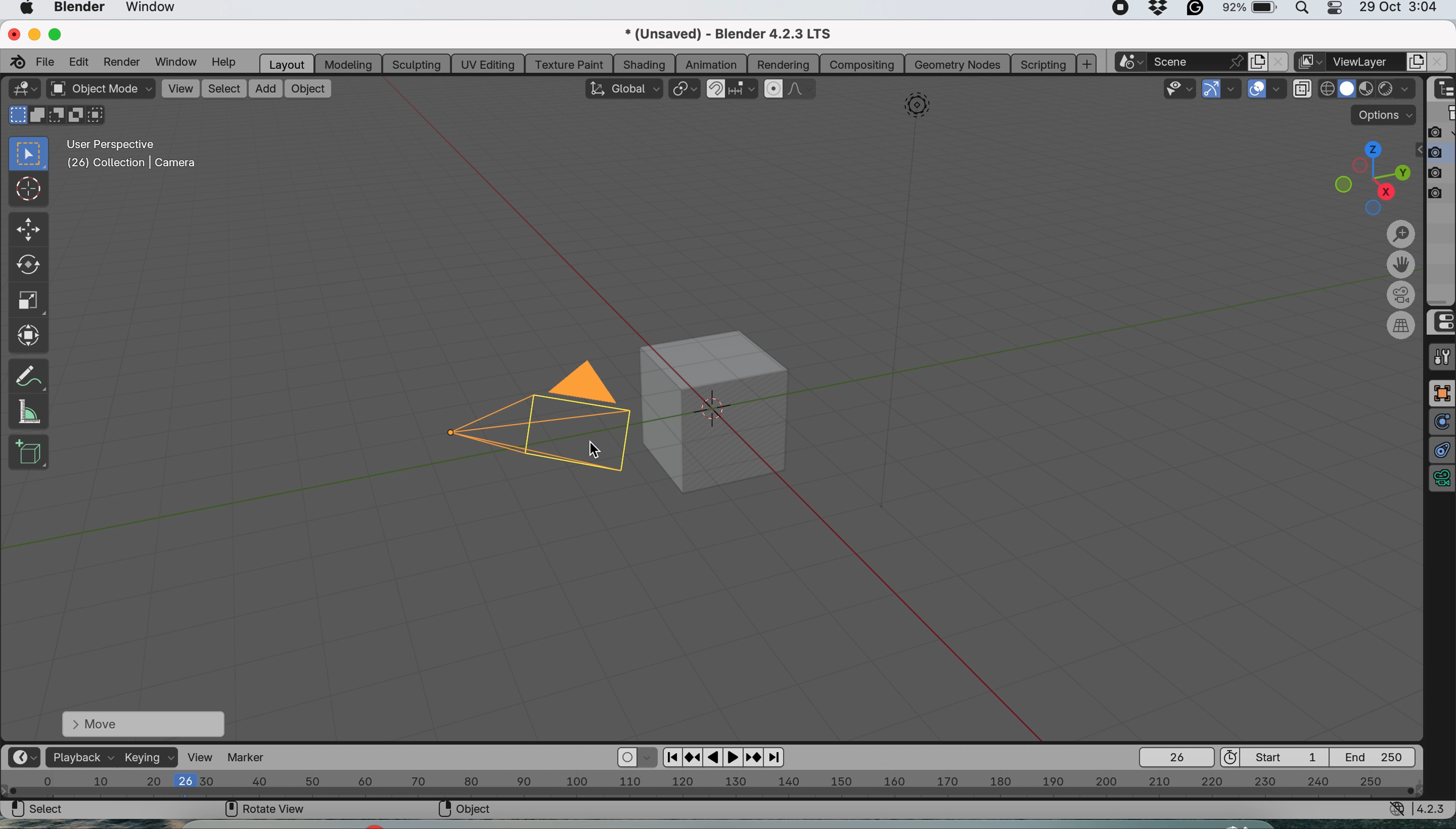 Image resolution: width=1456 pixels, height=829 pixels. What do you see at coordinates (1441, 357) in the screenshot?
I see `tools` at bounding box center [1441, 357].